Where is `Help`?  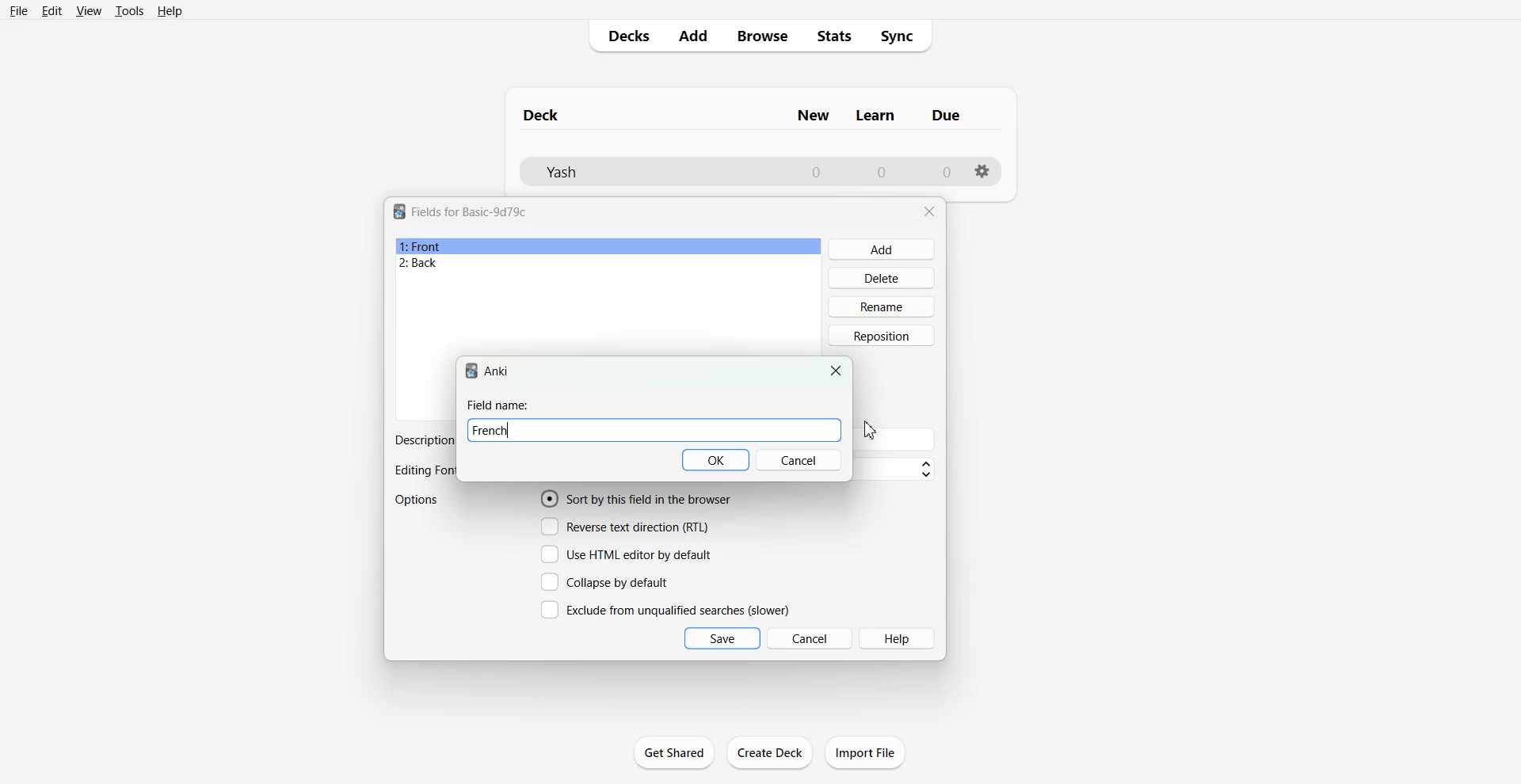
Help is located at coordinates (170, 11).